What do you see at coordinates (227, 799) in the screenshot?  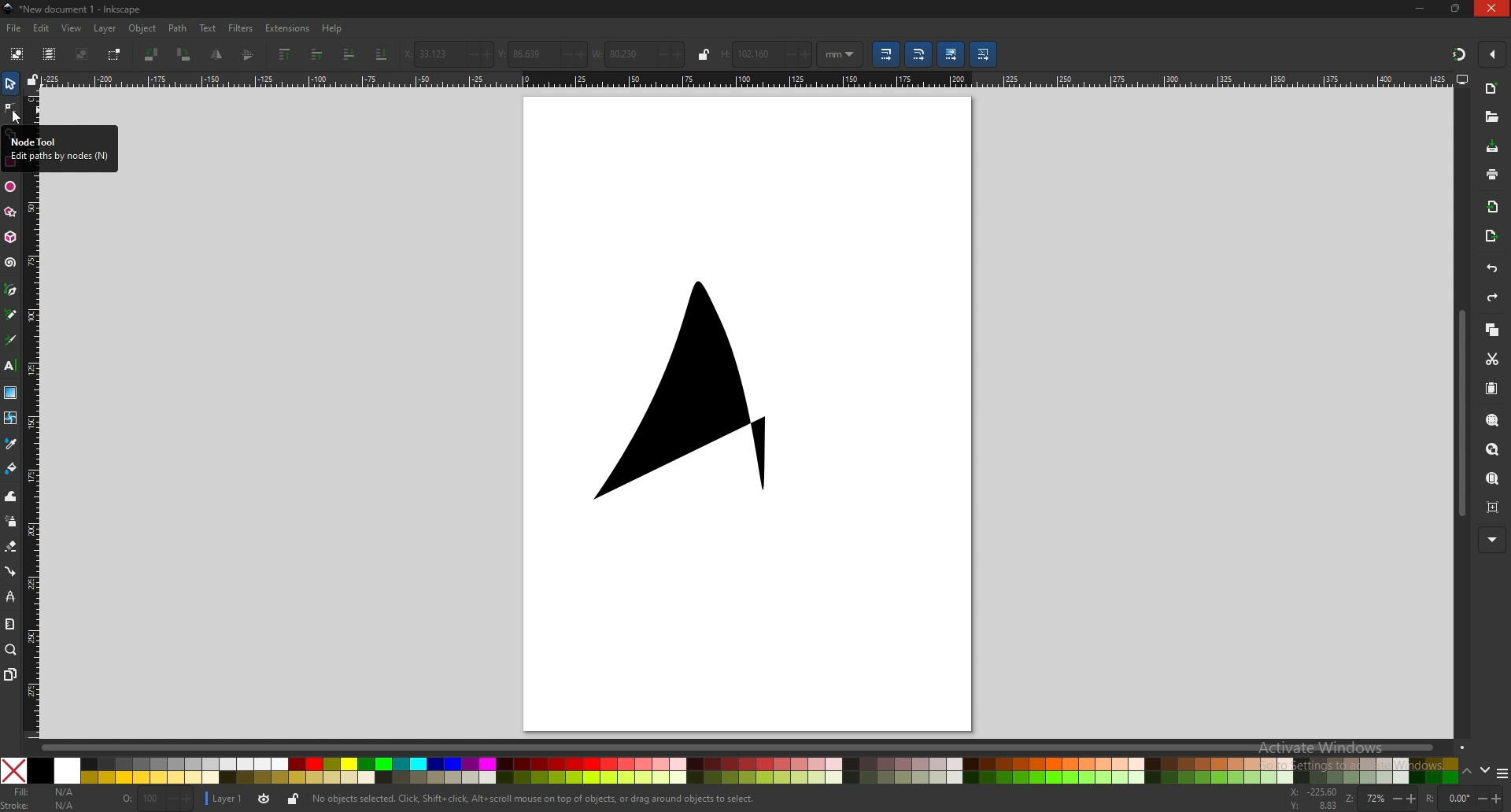 I see `layer` at bounding box center [227, 799].